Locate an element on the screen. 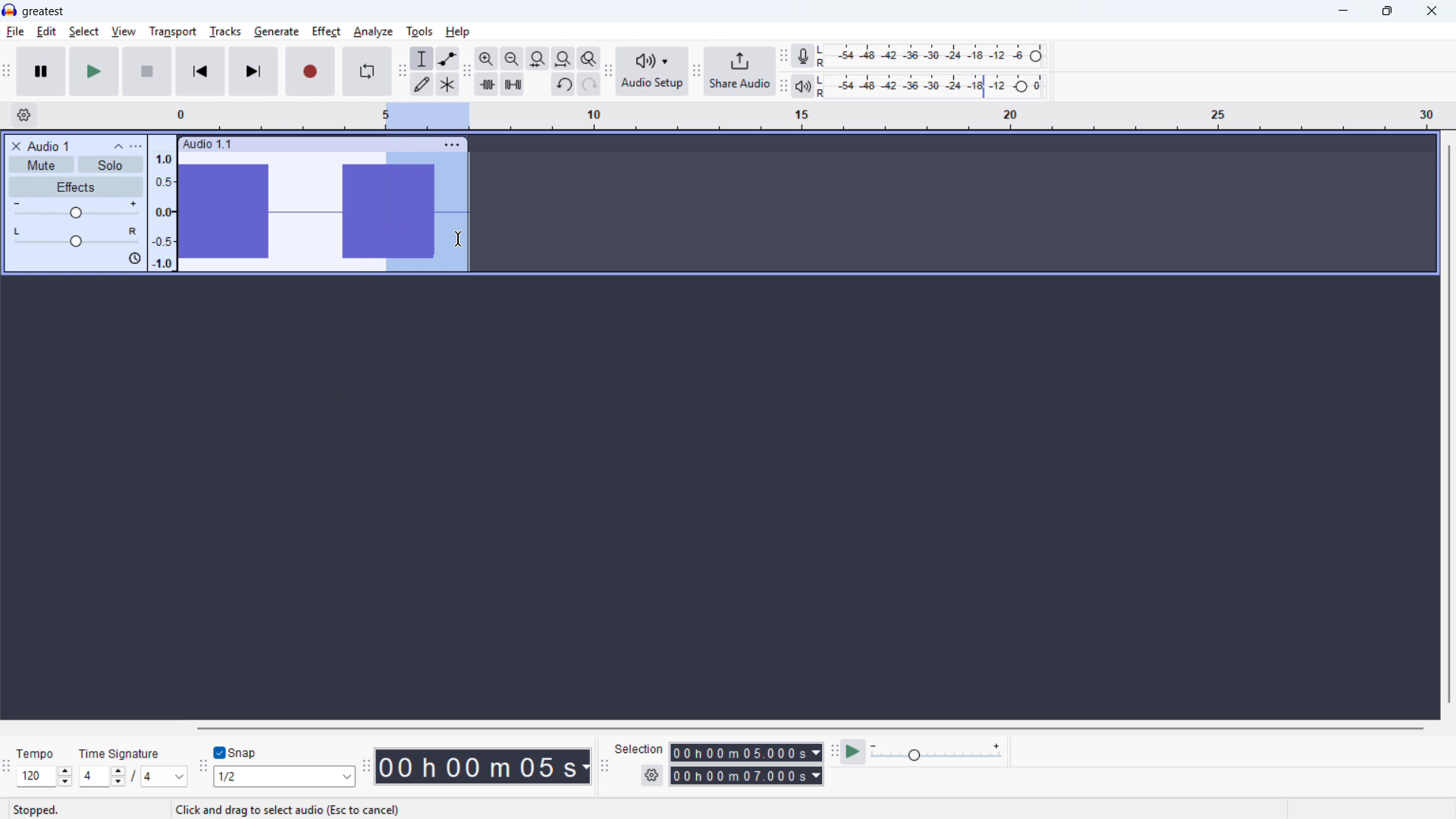  Skip to start  is located at coordinates (200, 71).